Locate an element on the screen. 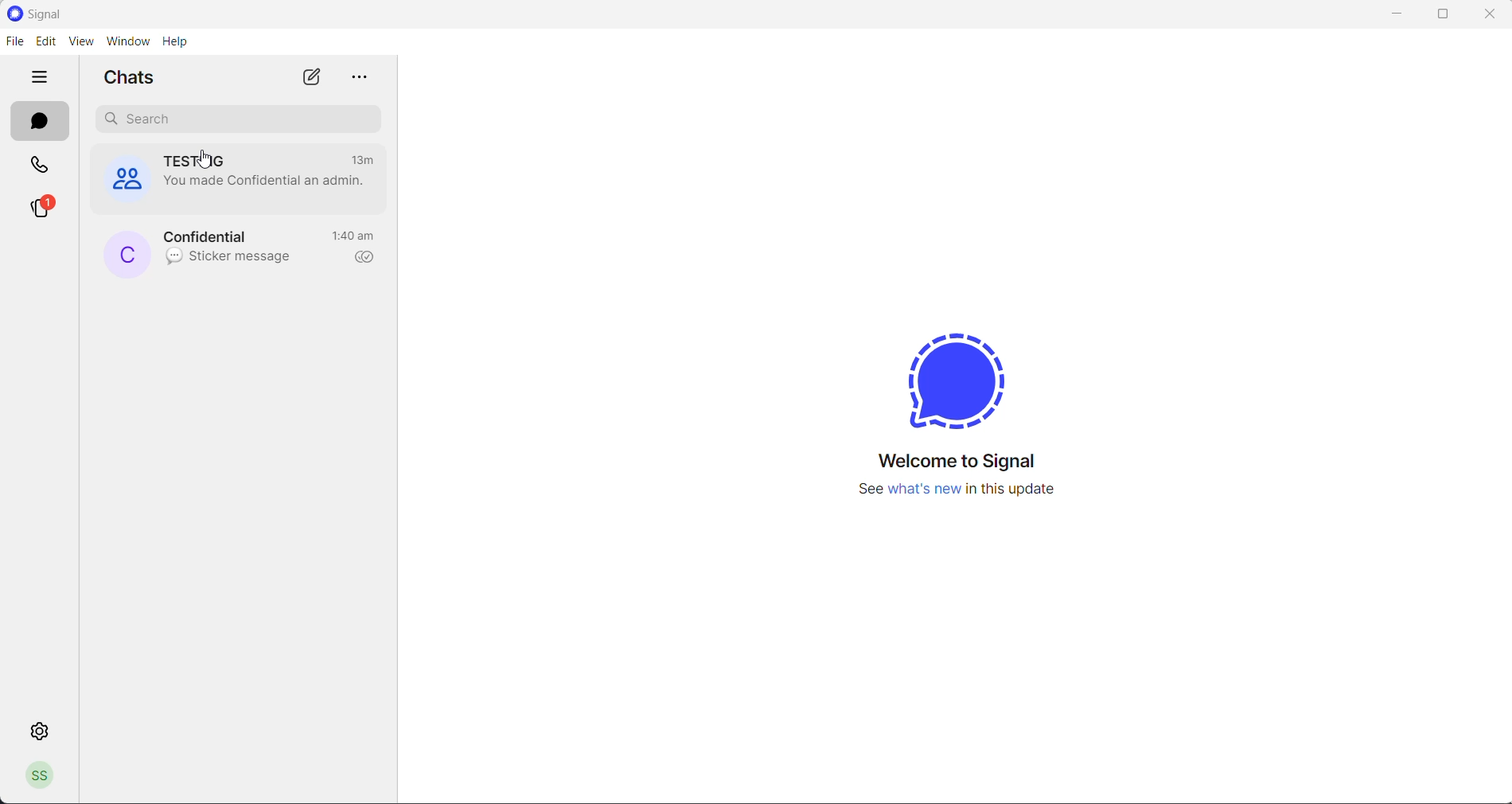 This screenshot has height=804, width=1512. edit is located at coordinates (44, 45).